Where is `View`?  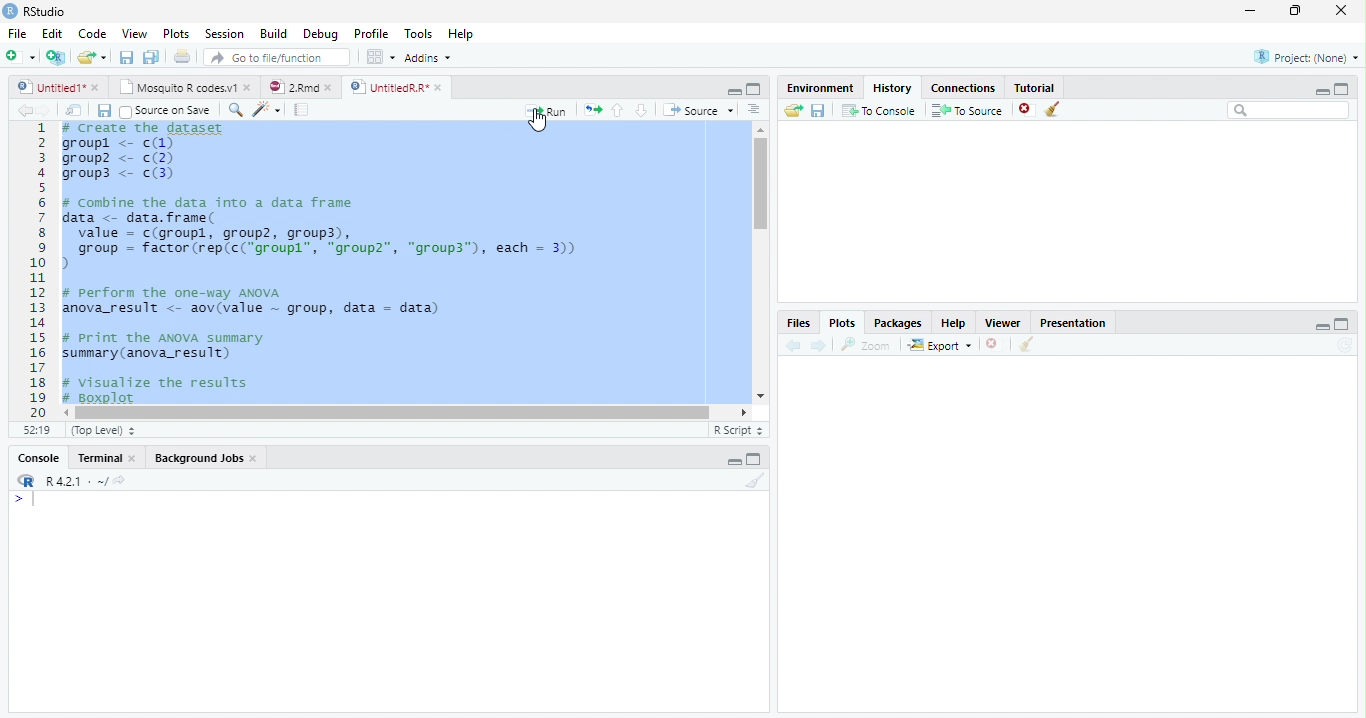 View is located at coordinates (134, 35).